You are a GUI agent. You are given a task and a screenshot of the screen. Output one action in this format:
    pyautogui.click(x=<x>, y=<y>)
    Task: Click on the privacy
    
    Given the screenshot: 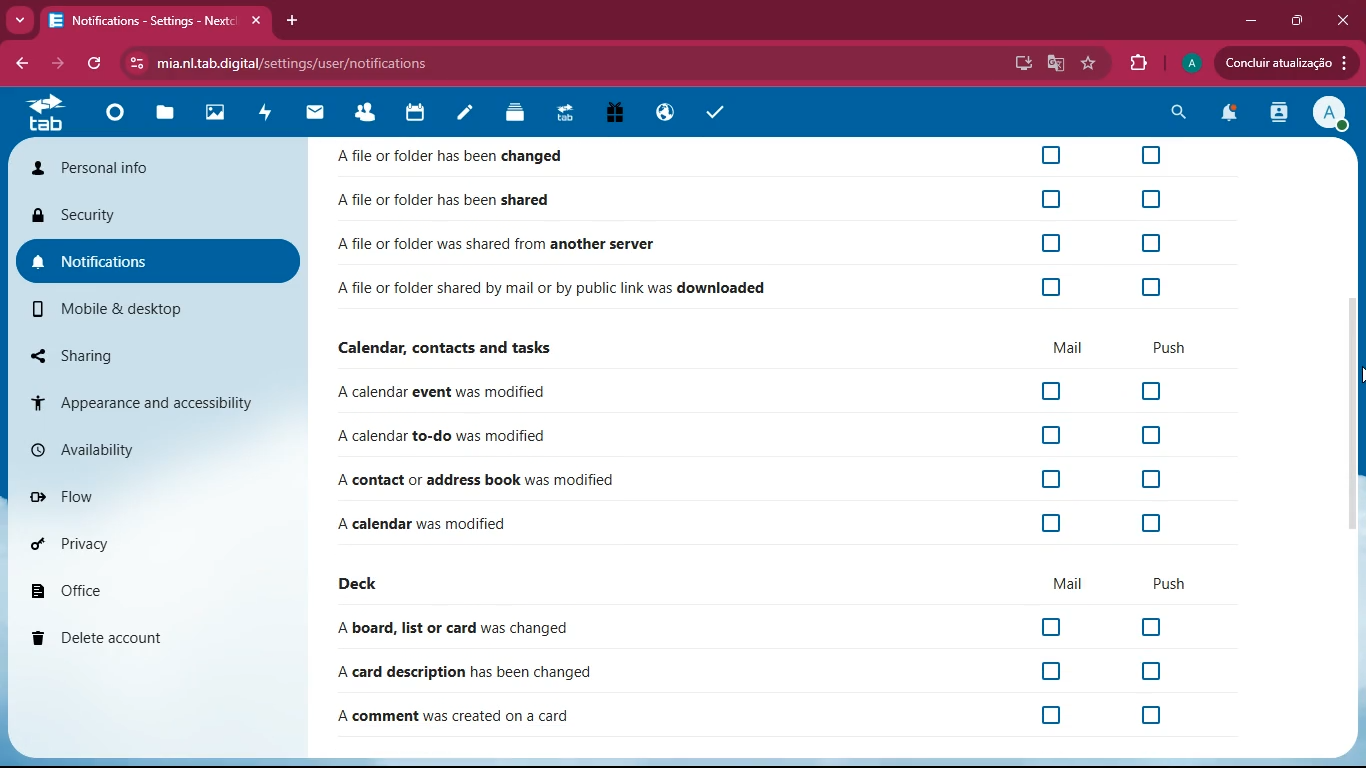 What is the action you would take?
    pyautogui.click(x=137, y=545)
    